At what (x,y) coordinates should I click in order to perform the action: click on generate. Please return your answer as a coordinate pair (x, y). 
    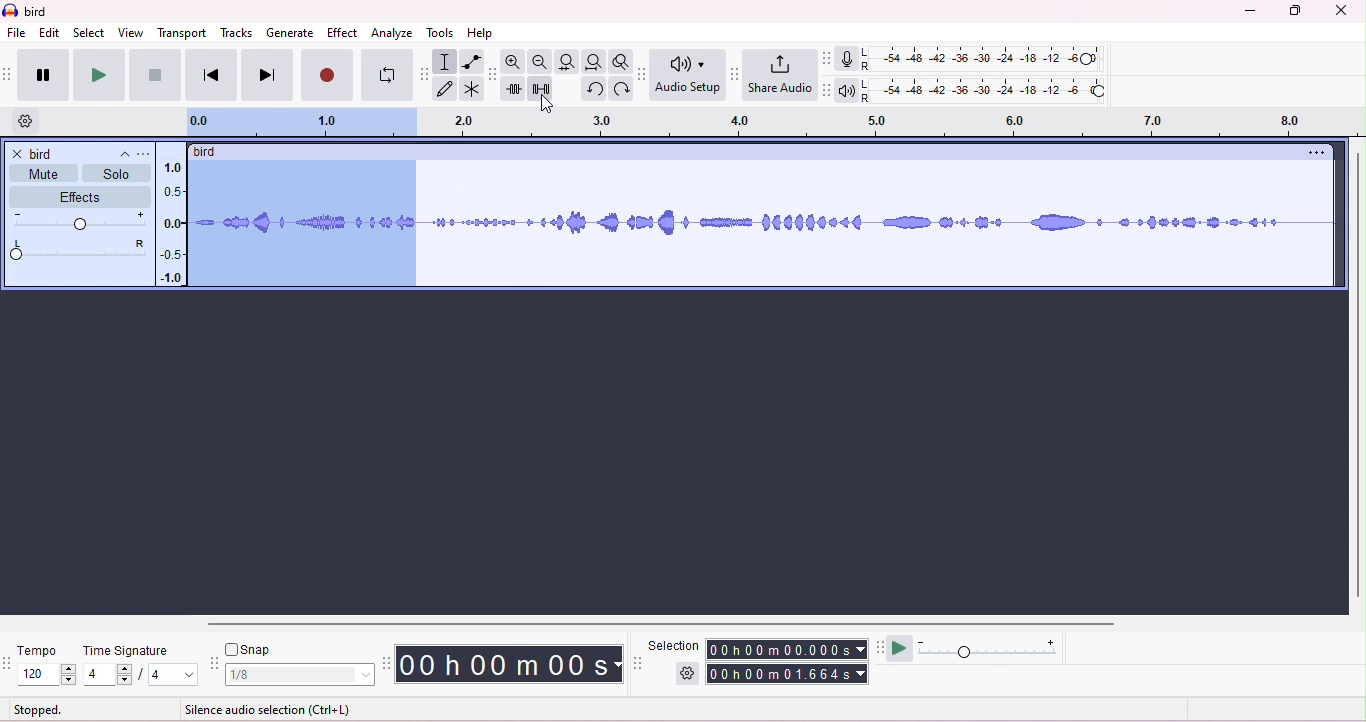
    Looking at the image, I should click on (290, 34).